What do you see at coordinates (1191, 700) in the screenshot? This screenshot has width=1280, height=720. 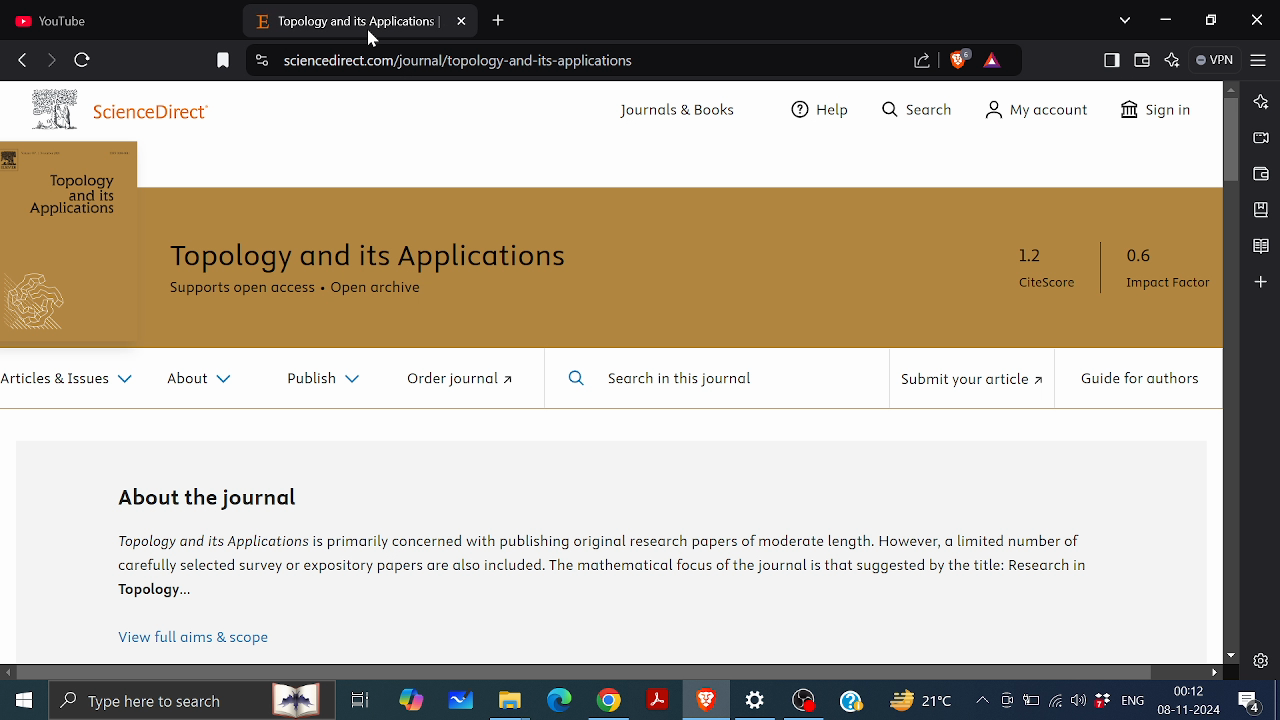 I see `Time and date` at bounding box center [1191, 700].